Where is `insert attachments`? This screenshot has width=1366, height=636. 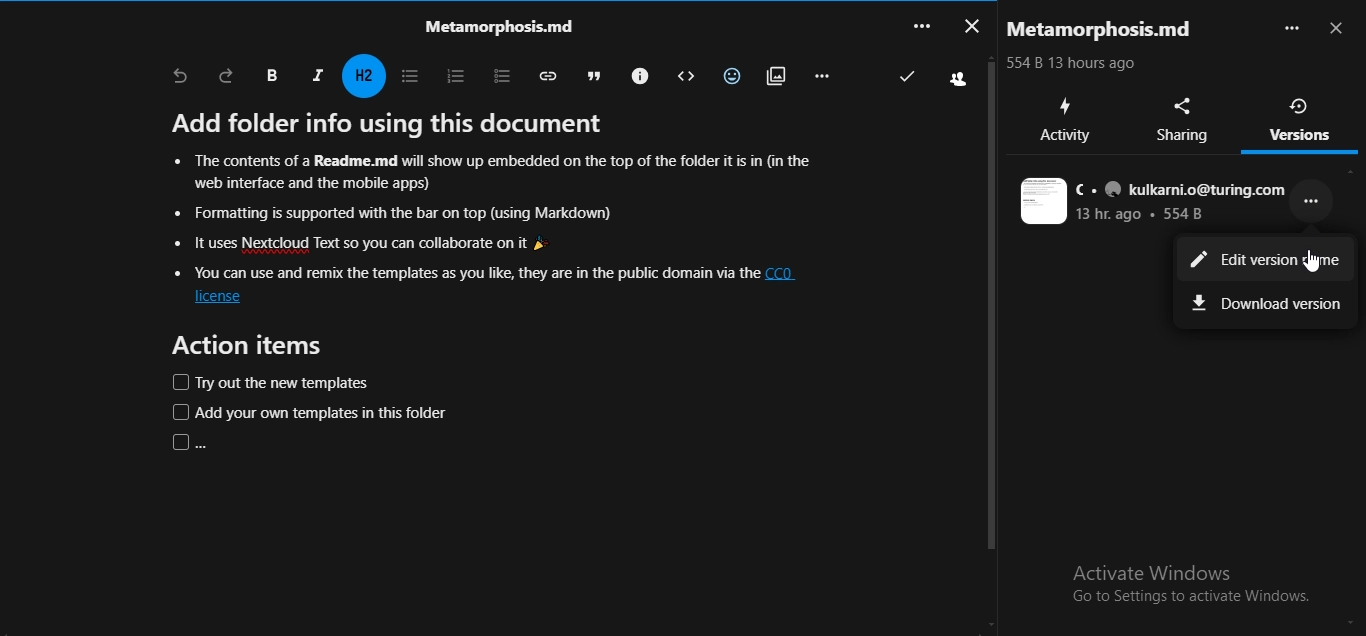
insert attachments is located at coordinates (773, 74).